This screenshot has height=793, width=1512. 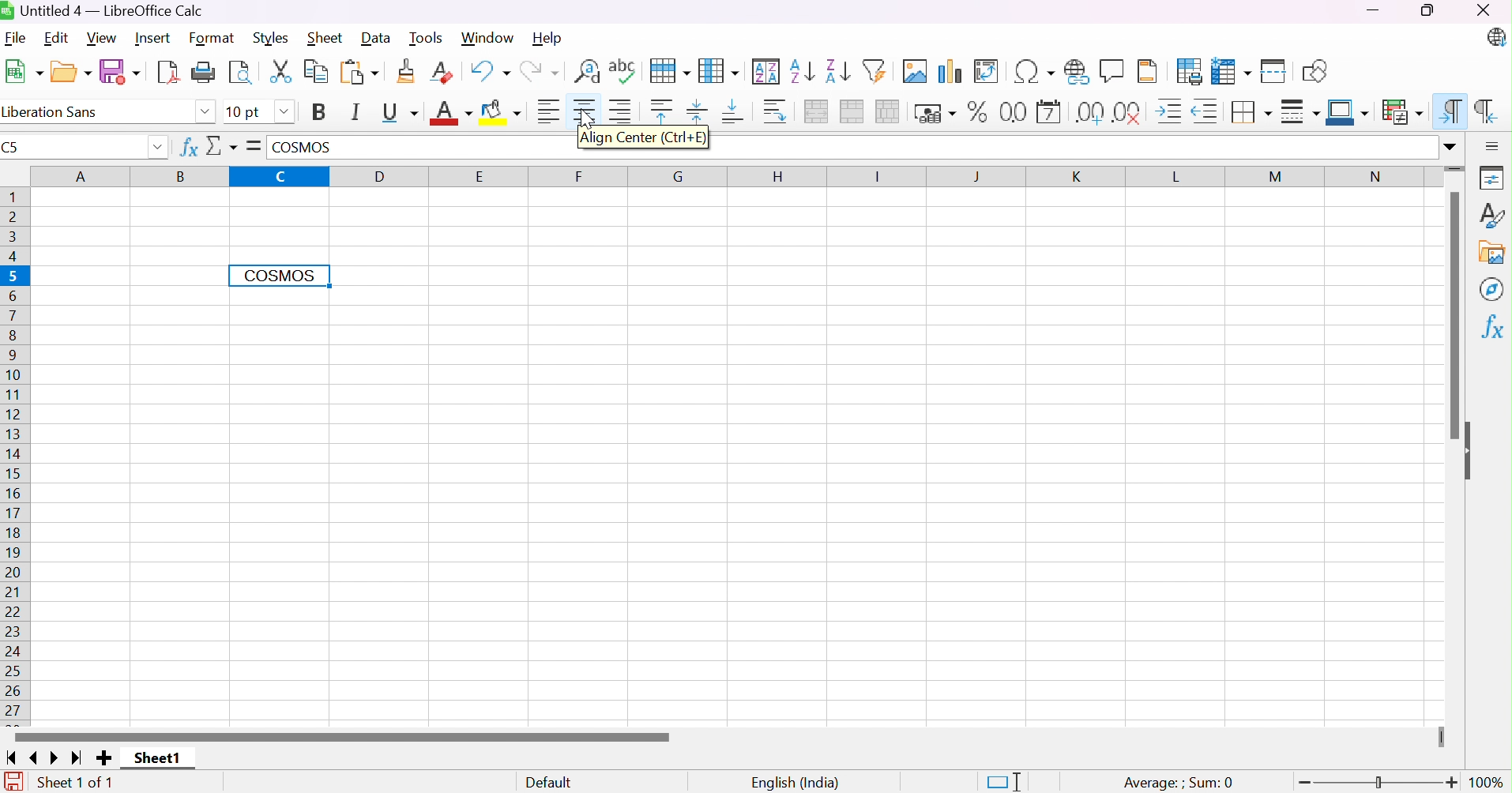 I want to click on Open, so click(x=71, y=73).